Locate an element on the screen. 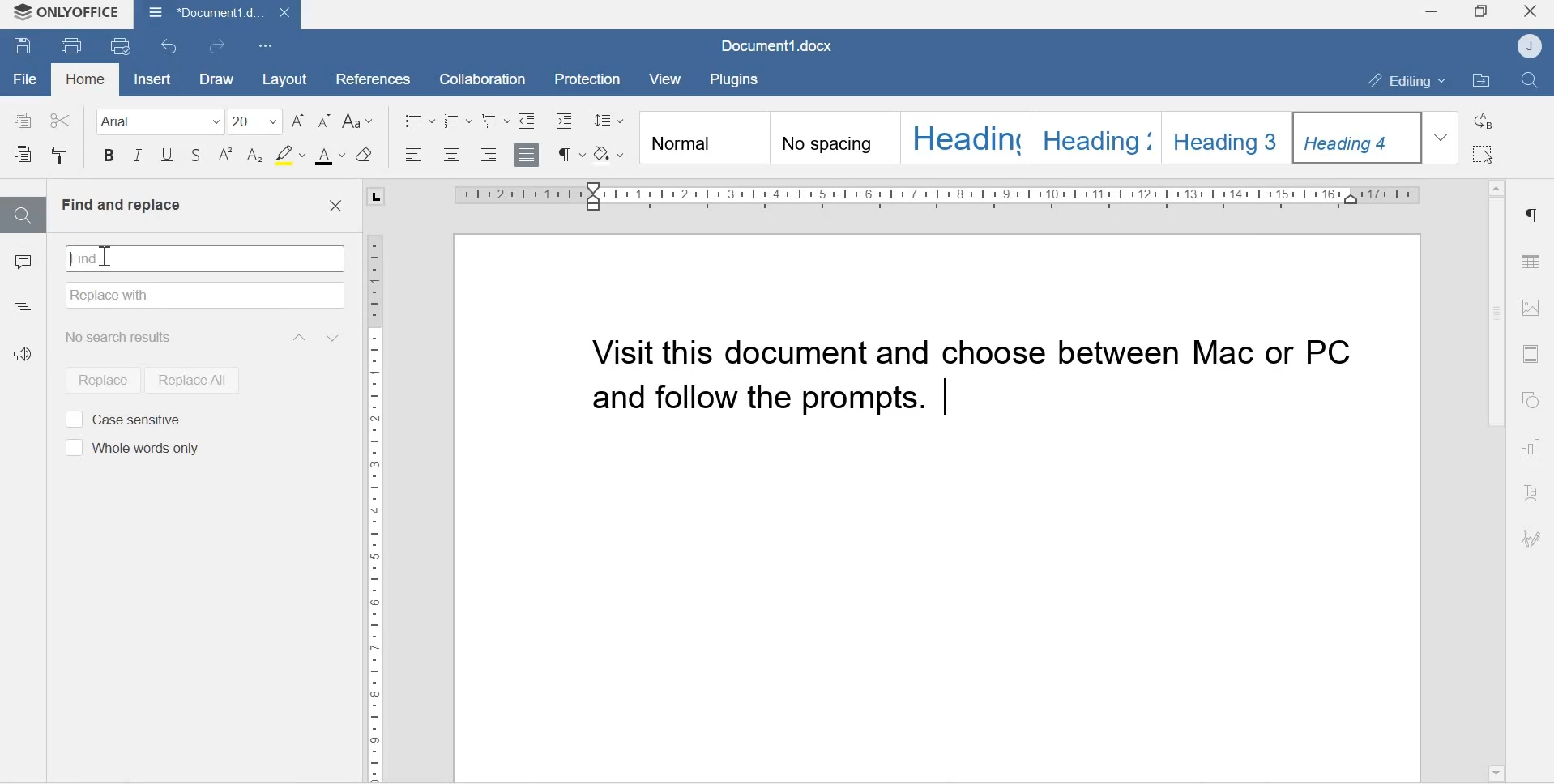  Document1.docx is located at coordinates (780, 47).